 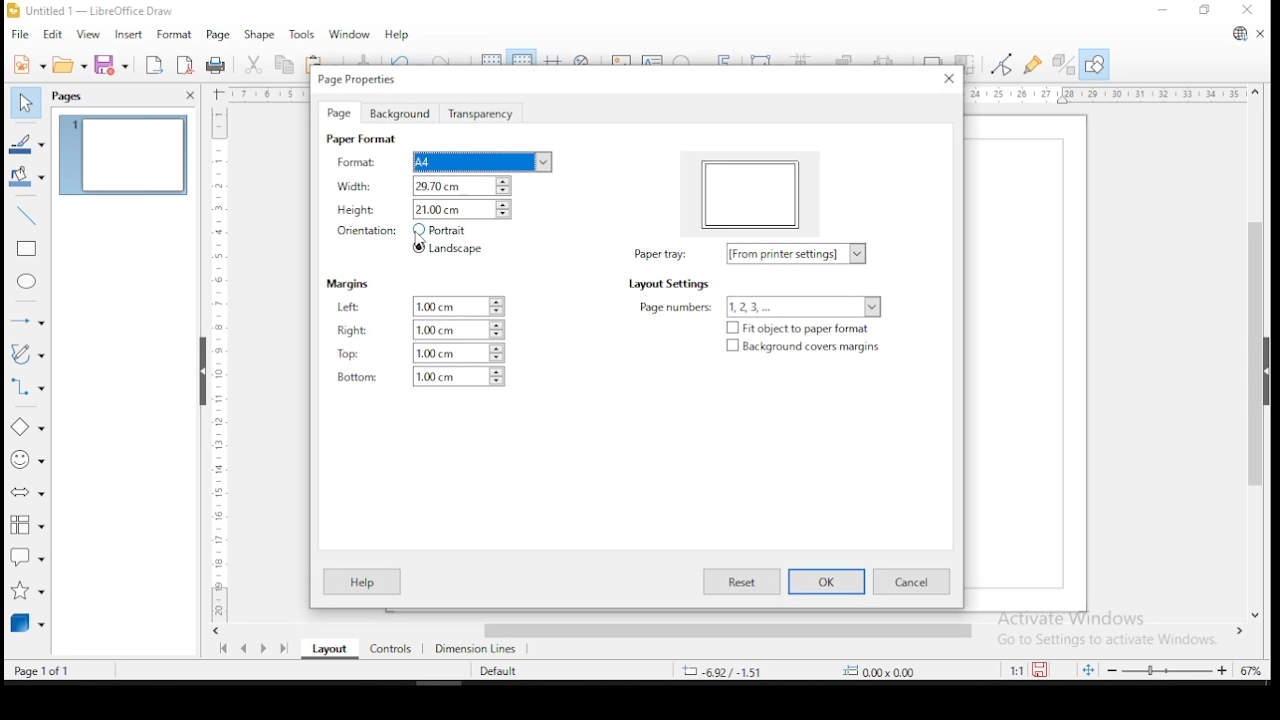 What do you see at coordinates (339, 113) in the screenshot?
I see `page` at bounding box center [339, 113].